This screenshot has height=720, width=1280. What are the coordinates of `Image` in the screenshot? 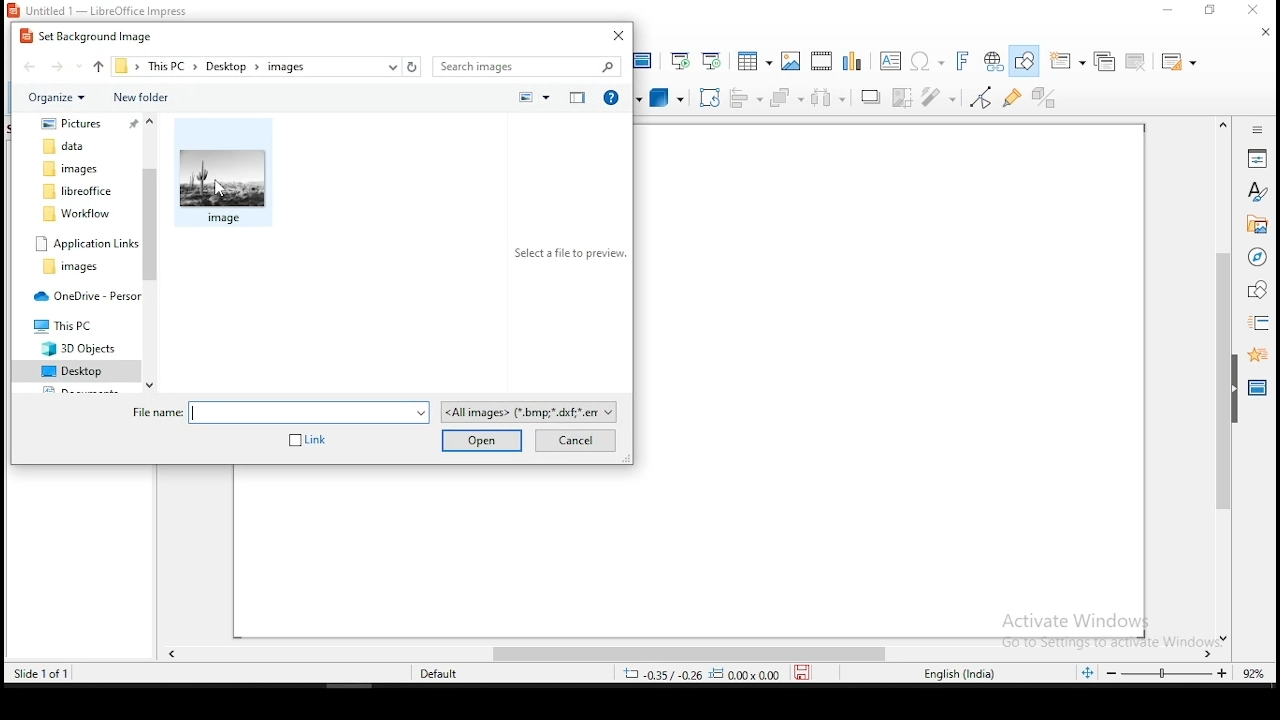 It's located at (225, 175).